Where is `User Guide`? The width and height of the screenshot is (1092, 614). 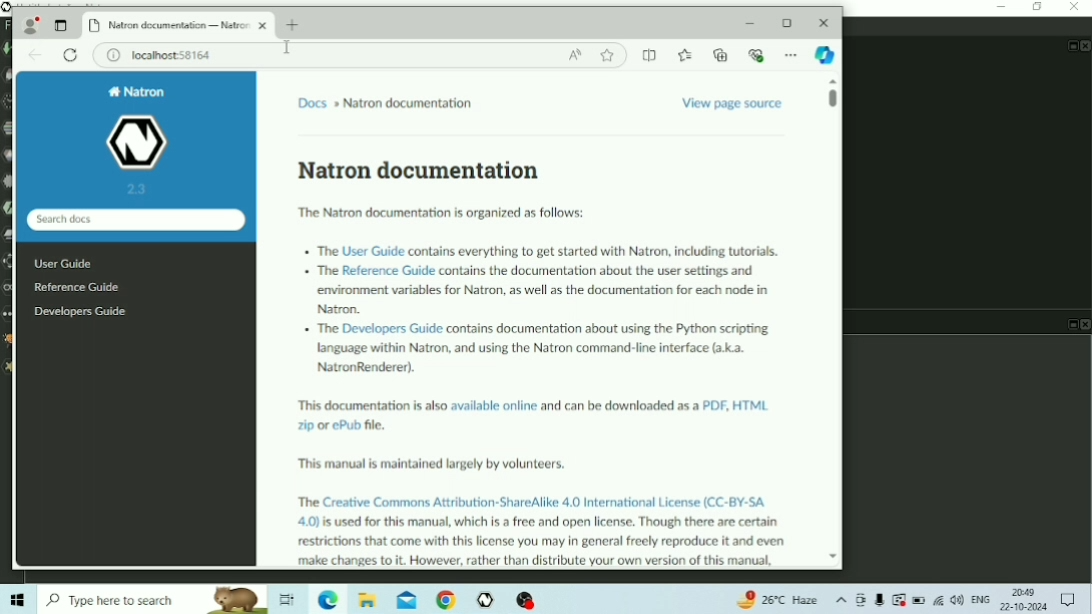
User Guide is located at coordinates (64, 262).